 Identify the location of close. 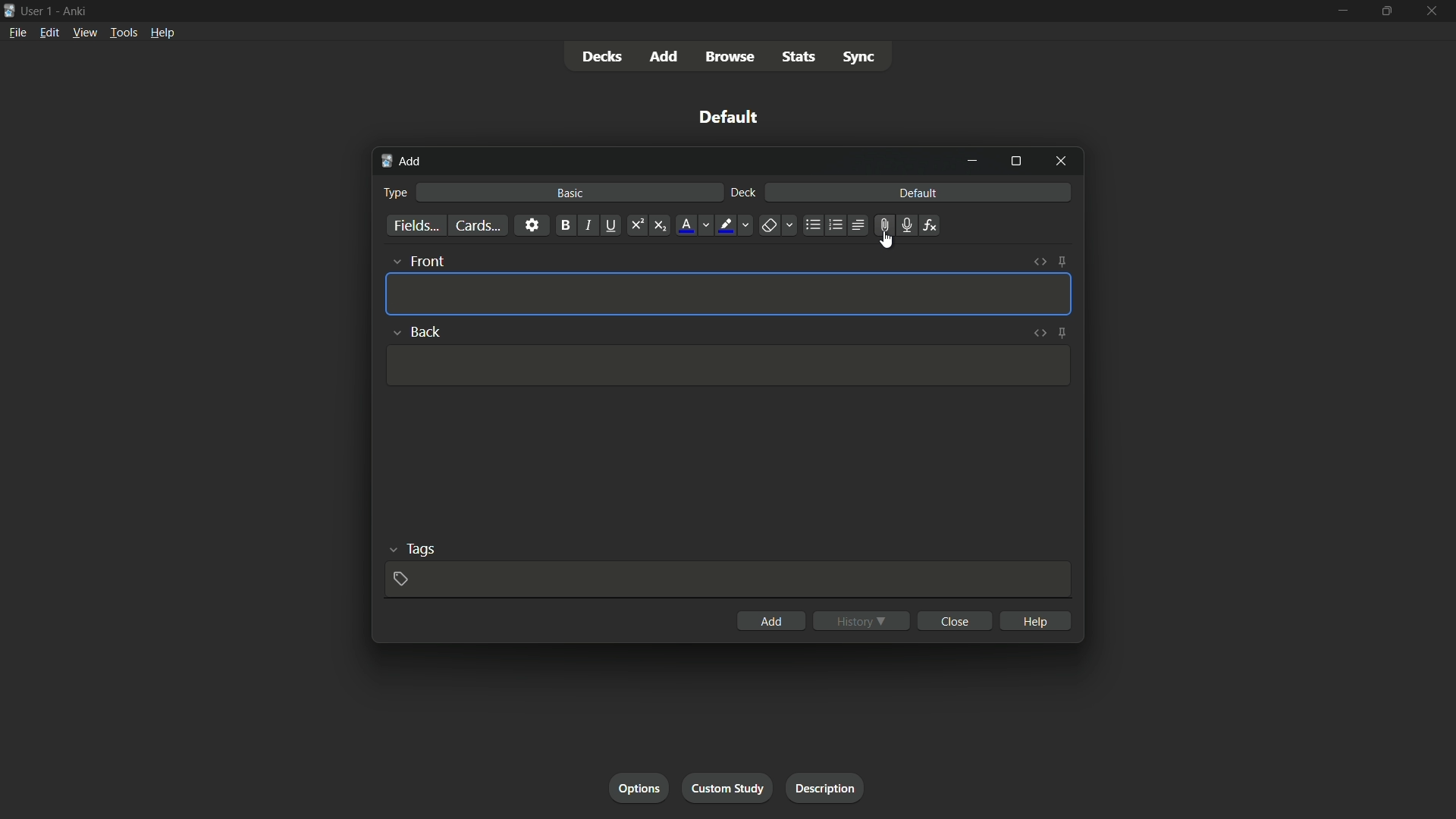
(955, 619).